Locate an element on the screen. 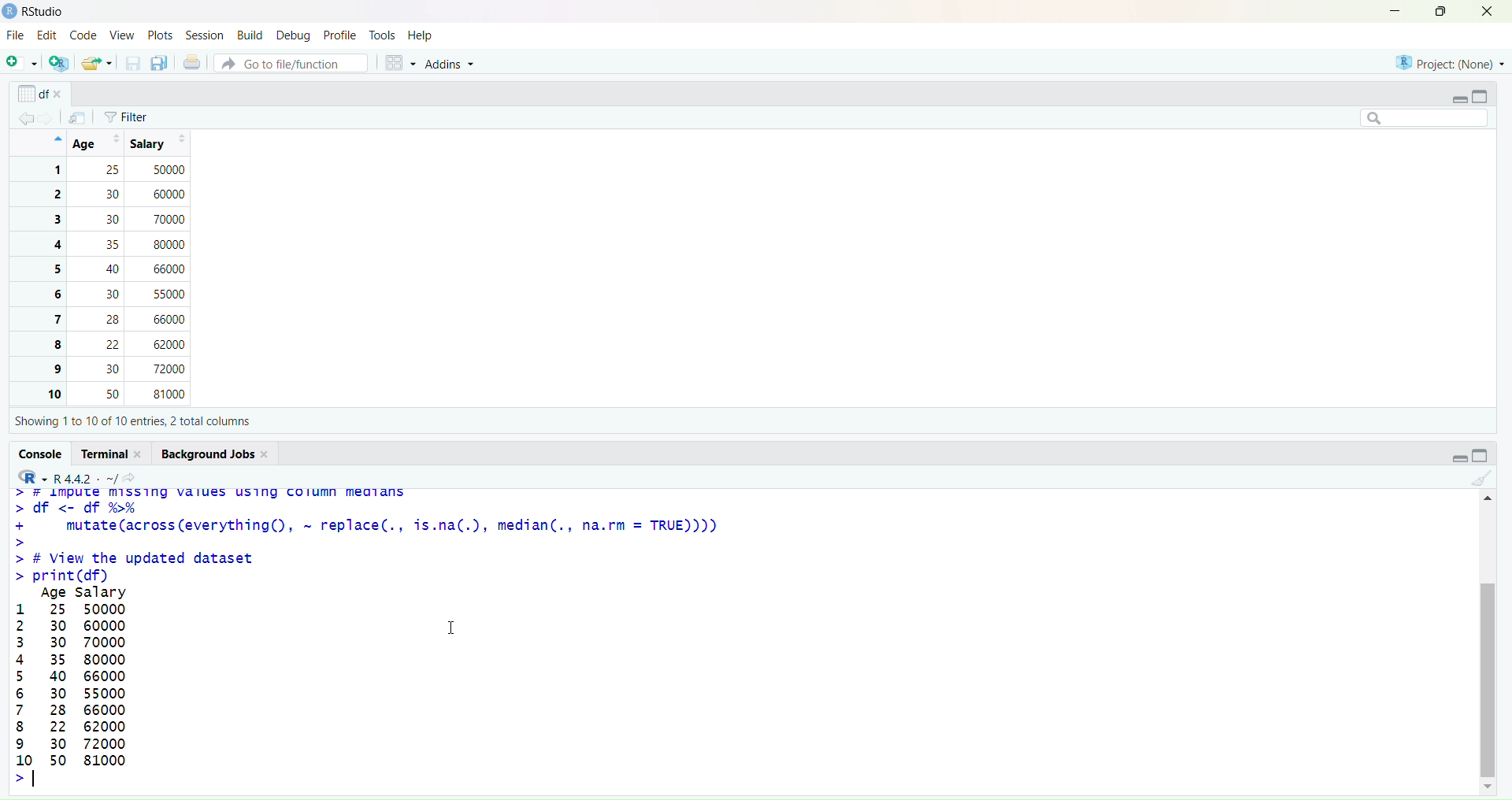 This screenshot has height=800, width=1512. save current documet is located at coordinates (132, 64).